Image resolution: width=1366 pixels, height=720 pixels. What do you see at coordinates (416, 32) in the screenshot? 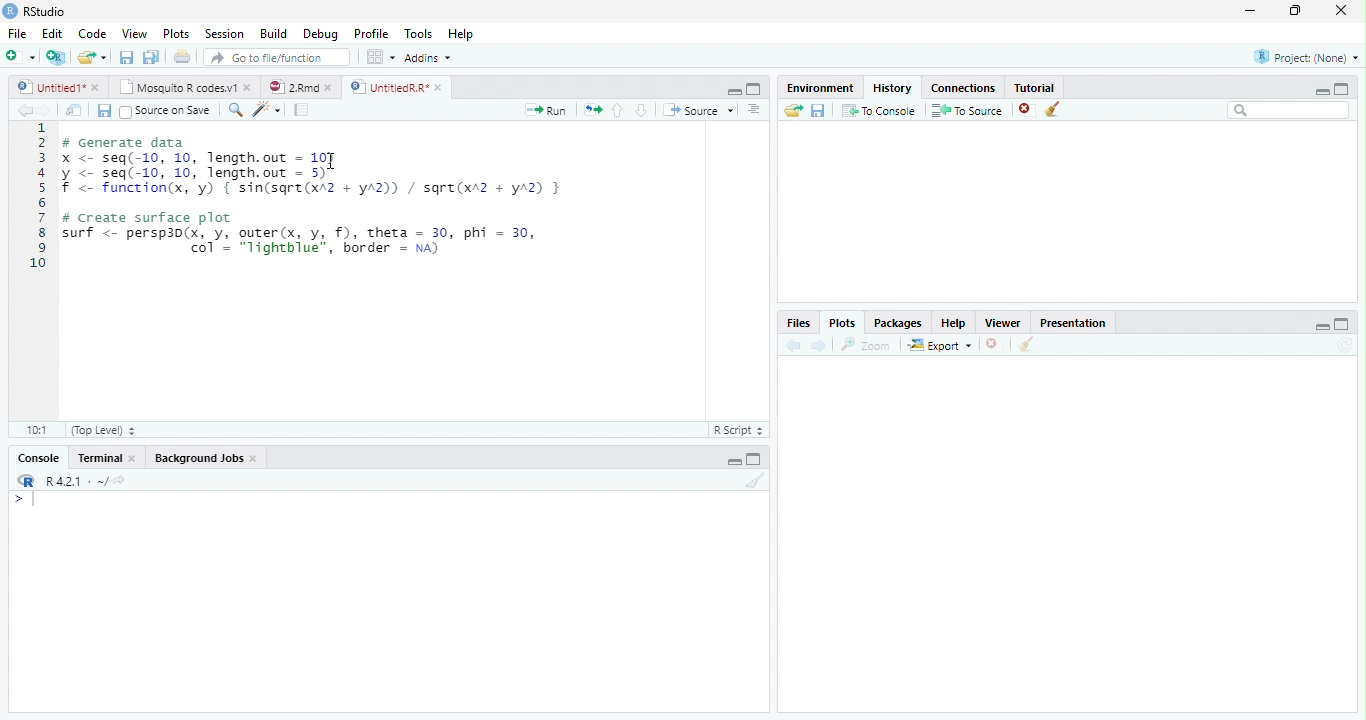
I see `Tools` at bounding box center [416, 32].